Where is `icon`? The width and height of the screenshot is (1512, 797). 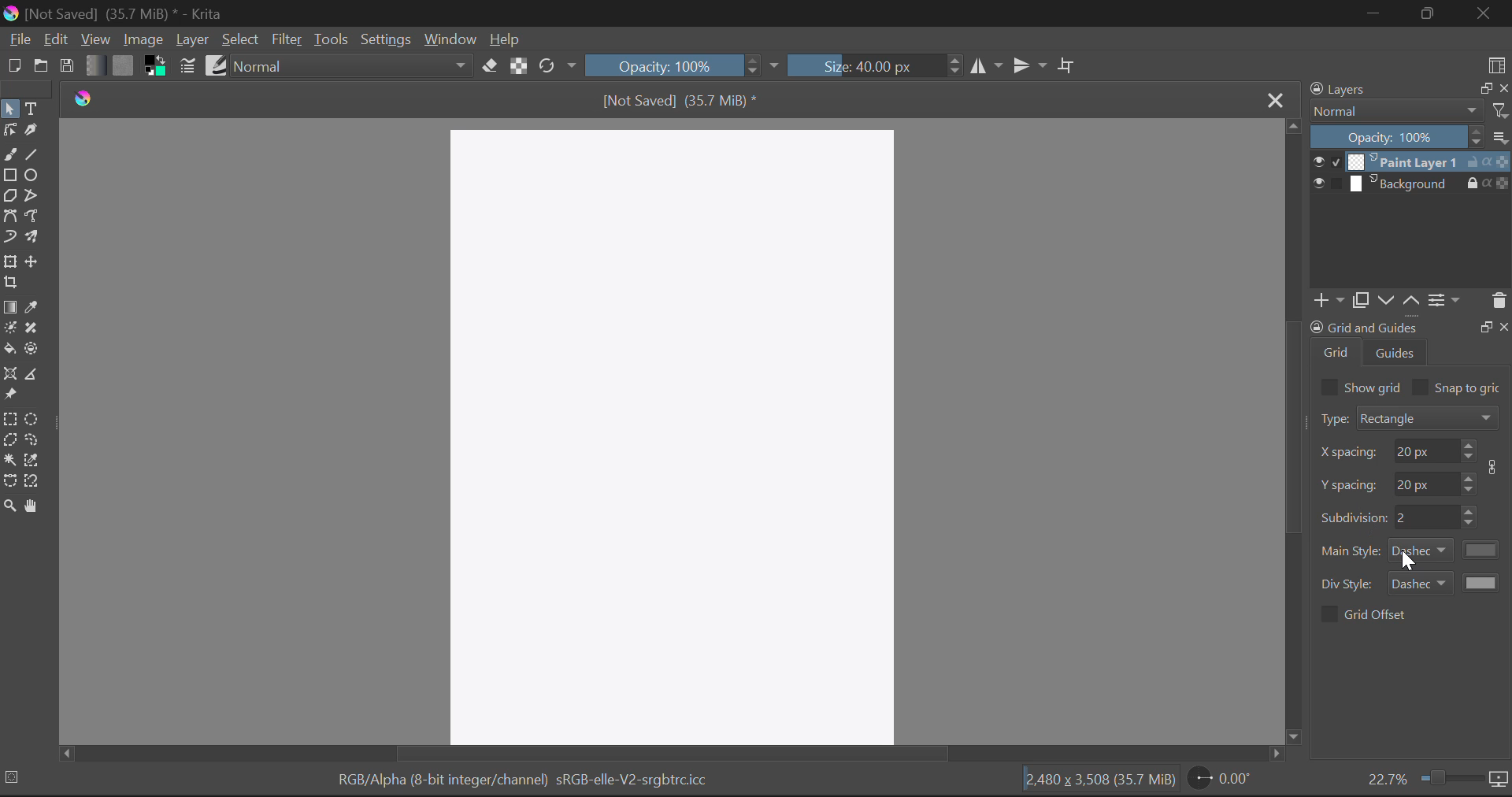 icon is located at coordinates (1499, 780).